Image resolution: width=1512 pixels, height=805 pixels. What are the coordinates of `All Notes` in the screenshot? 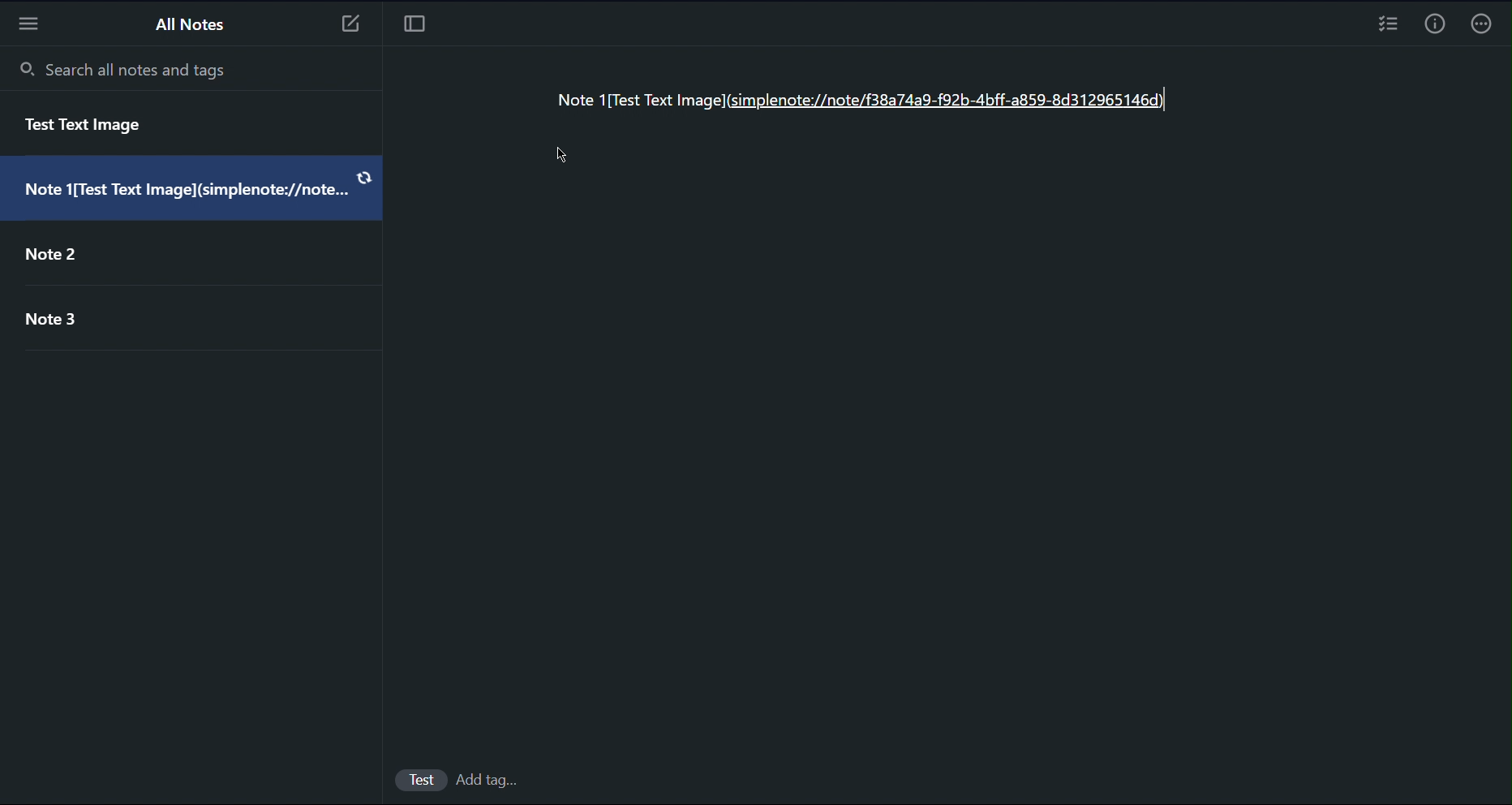 It's located at (191, 25).